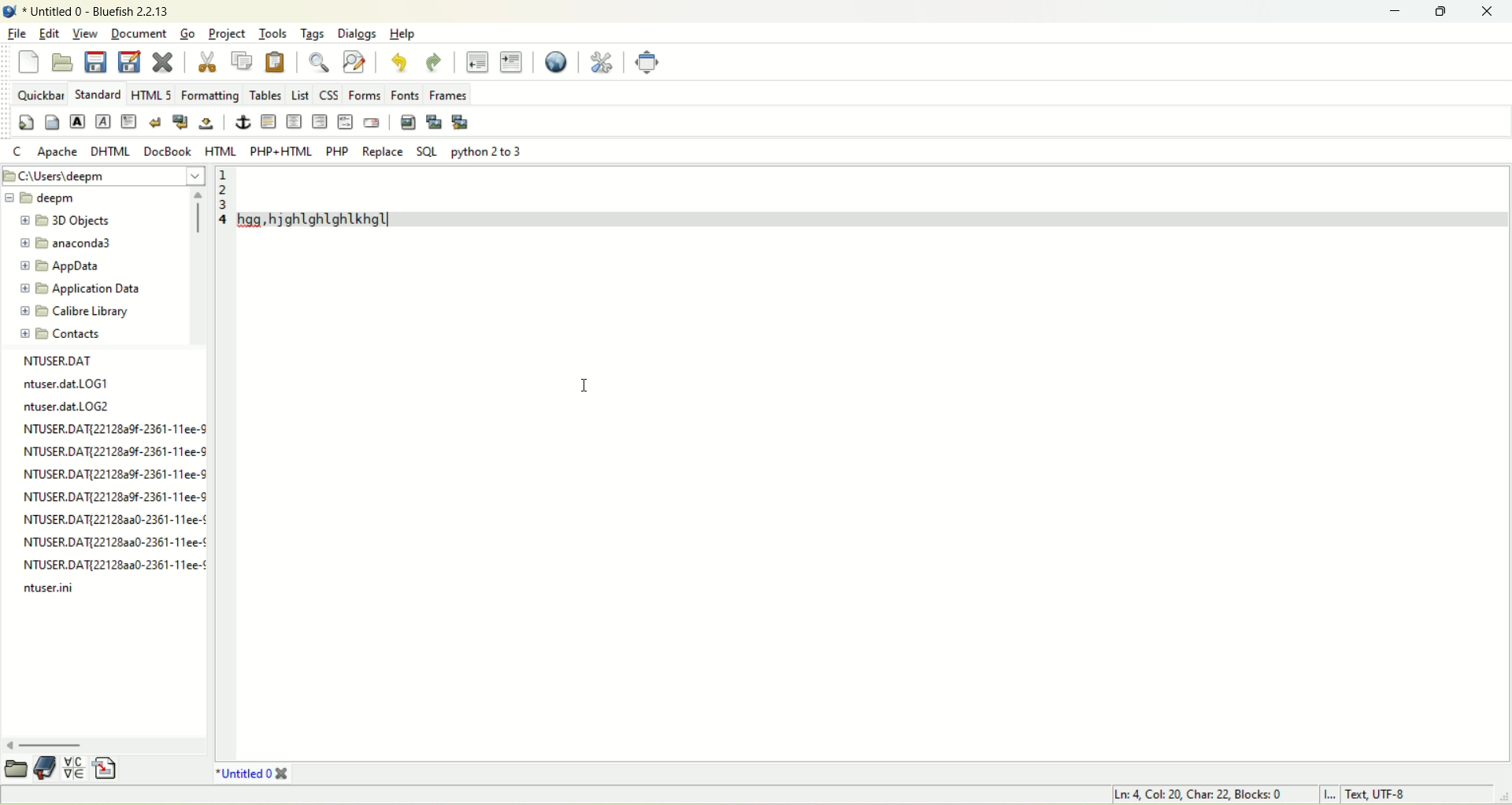  Describe the element at coordinates (154, 121) in the screenshot. I see `break` at that location.